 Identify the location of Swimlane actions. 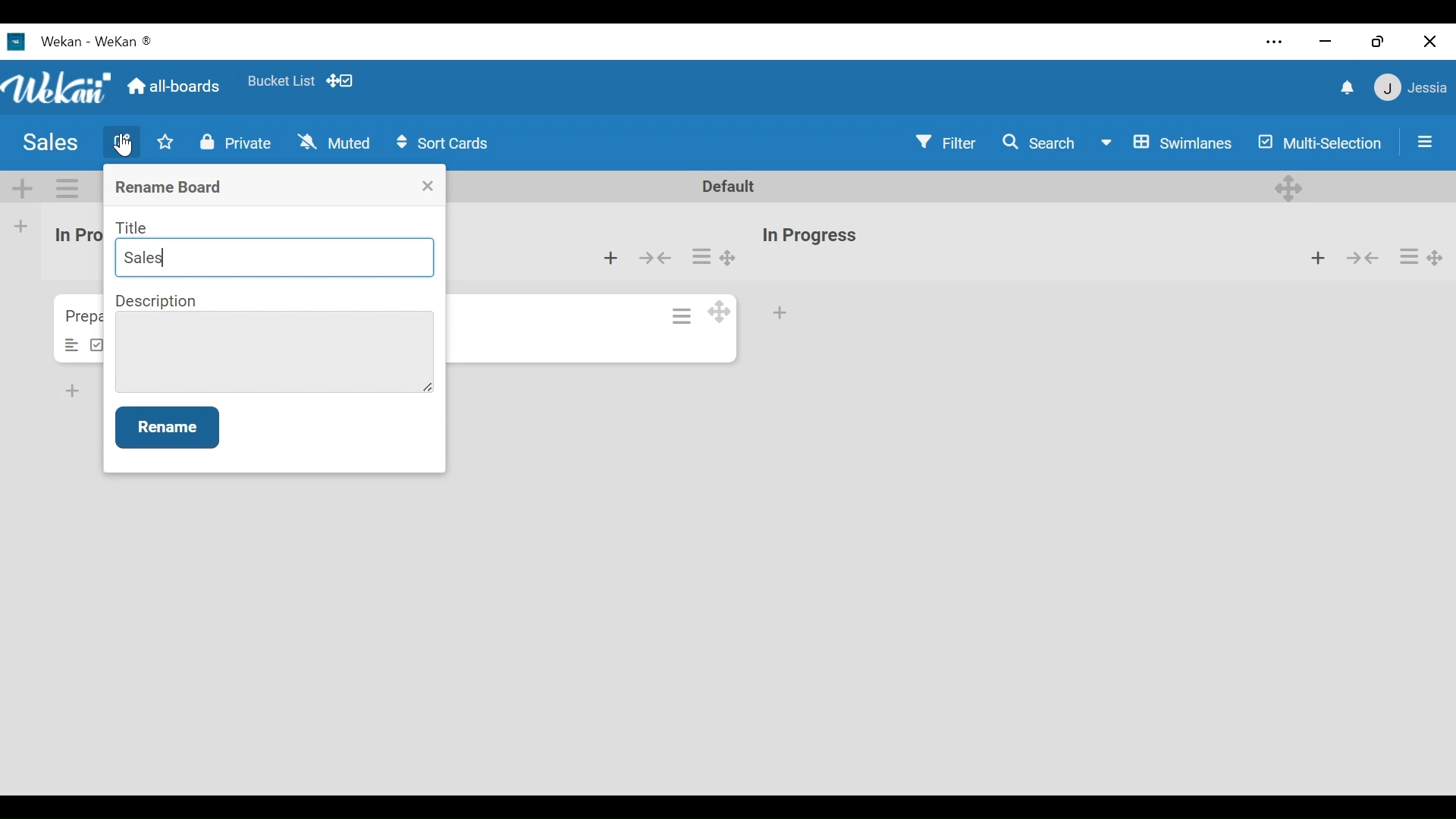
(65, 188).